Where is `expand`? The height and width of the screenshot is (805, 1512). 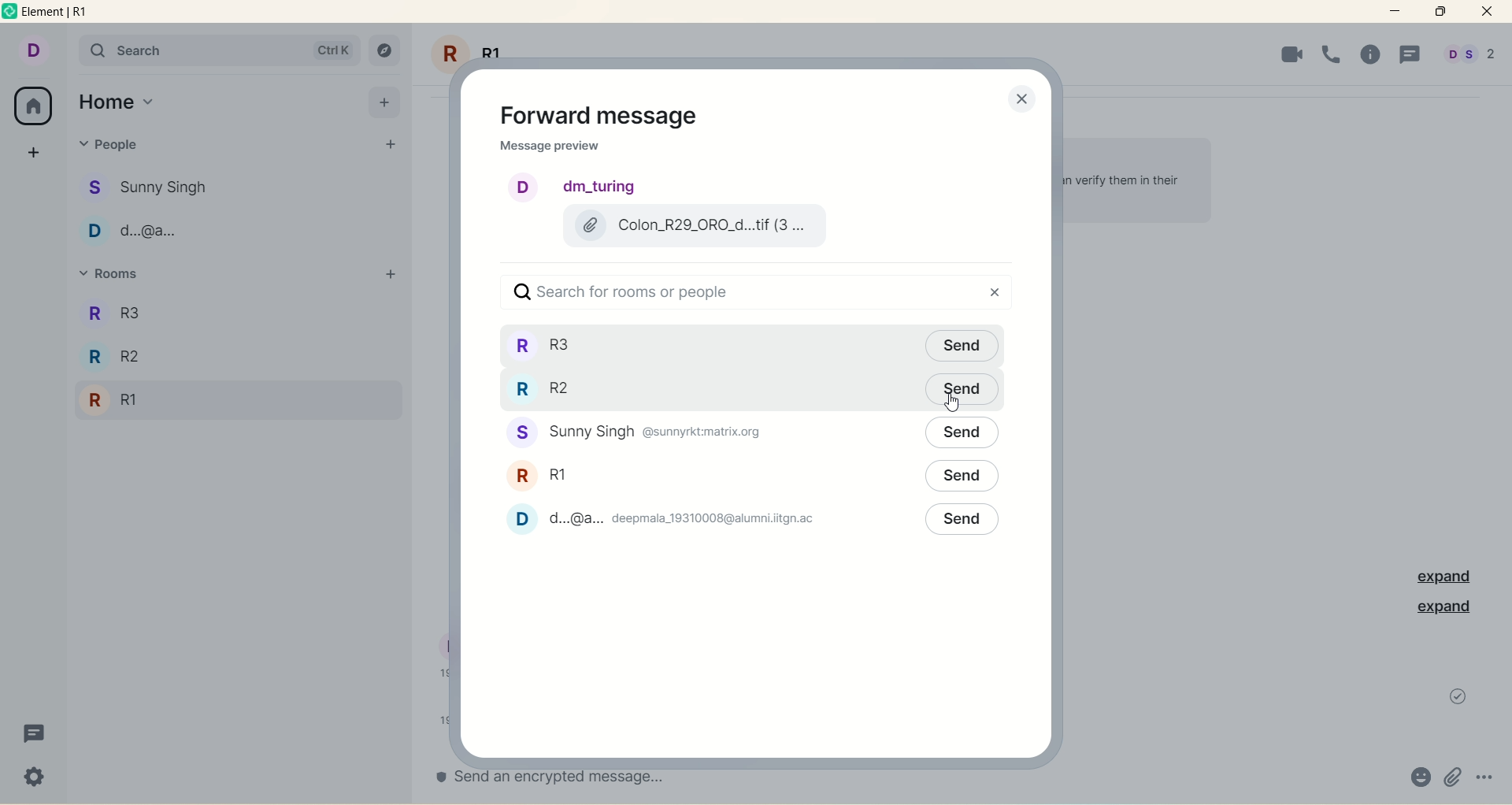
expand is located at coordinates (1443, 608).